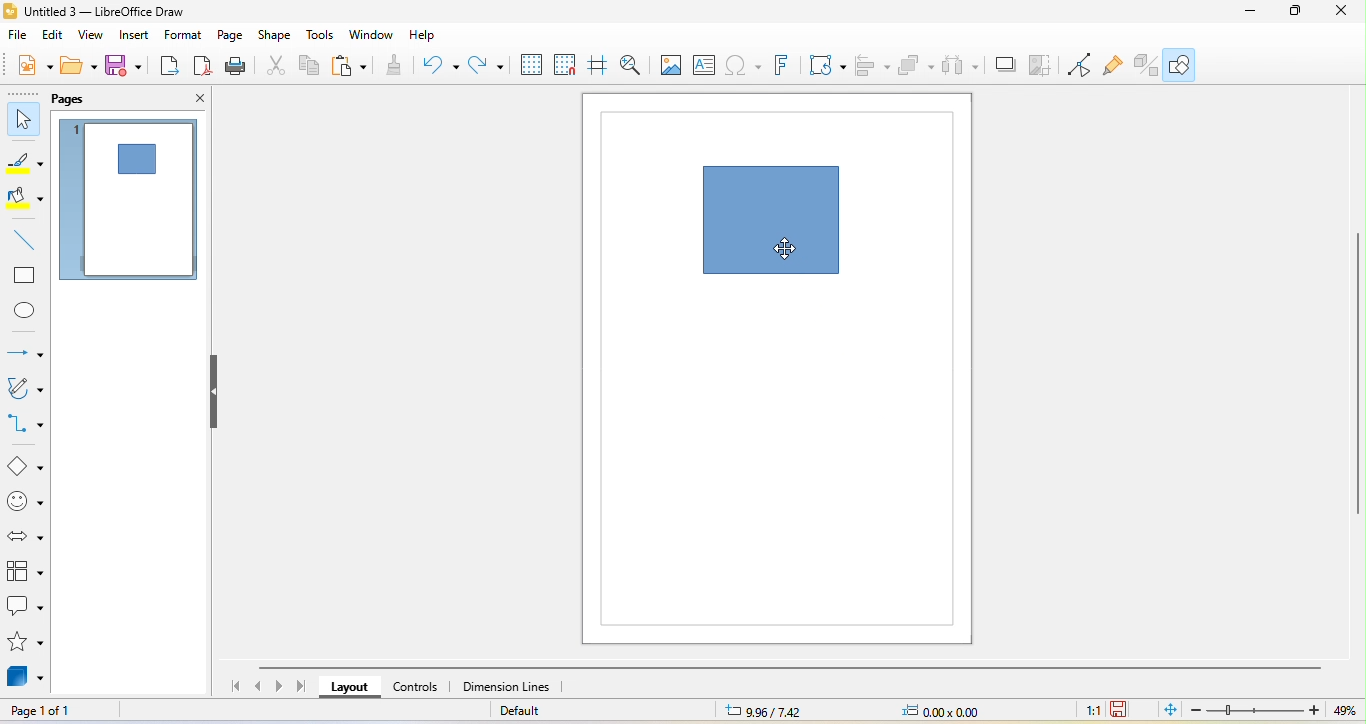 Image resolution: width=1366 pixels, height=724 pixels. I want to click on tools, so click(324, 36).